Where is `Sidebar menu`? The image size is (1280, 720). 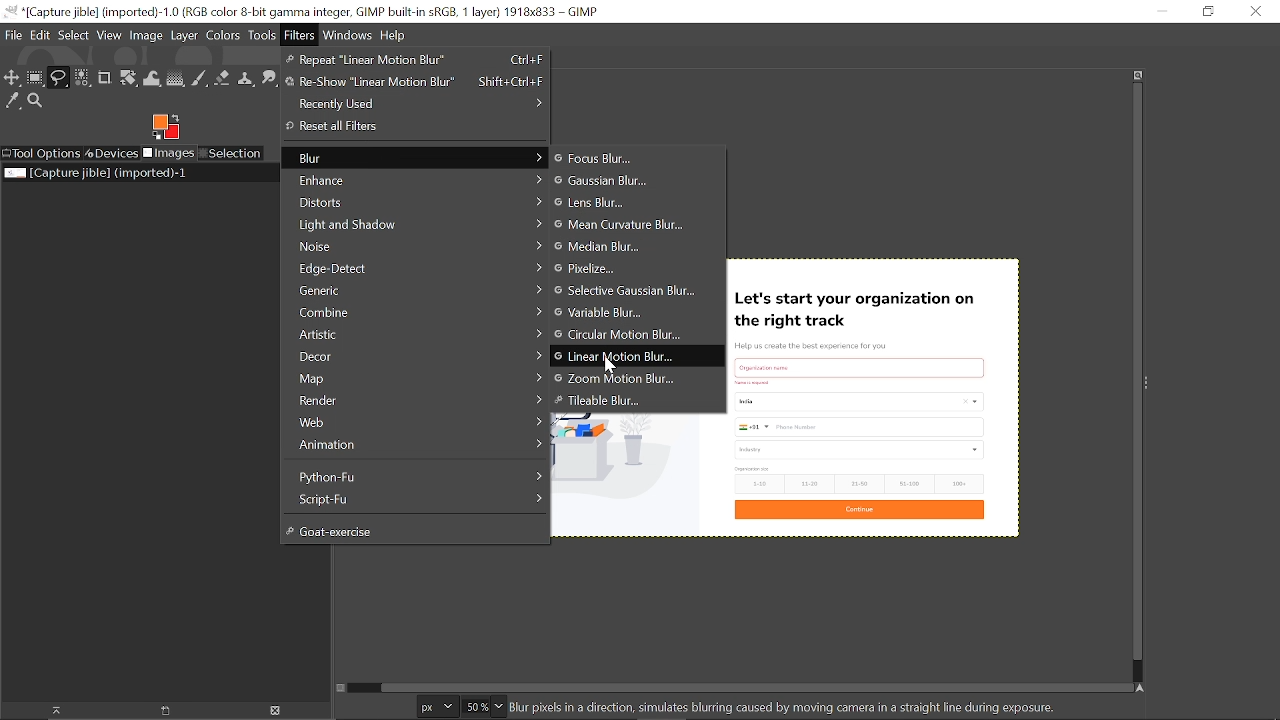
Sidebar menu is located at coordinates (1151, 381).